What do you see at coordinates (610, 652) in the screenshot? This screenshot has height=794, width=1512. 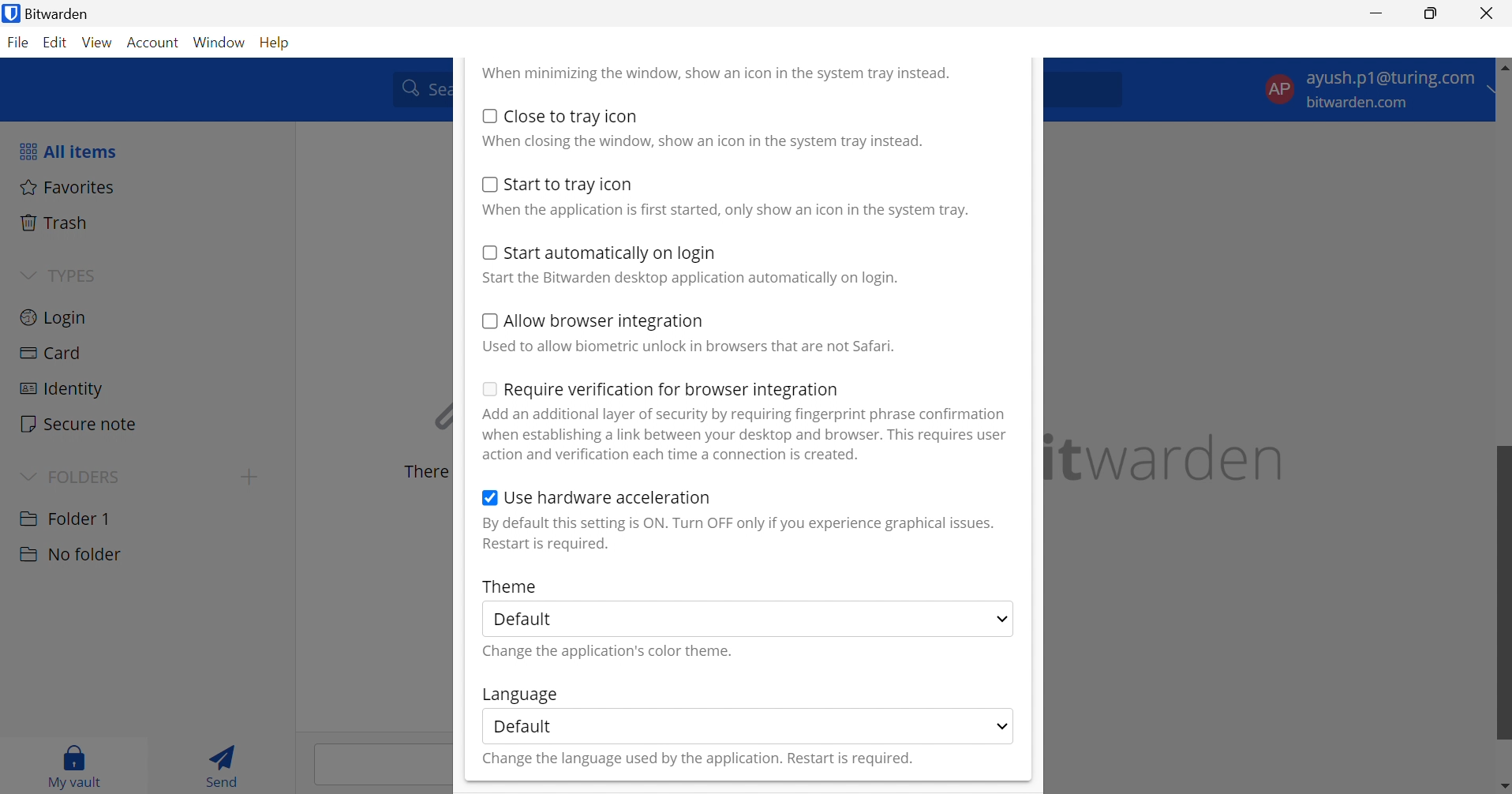 I see `Change the application's color theme.` at bounding box center [610, 652].